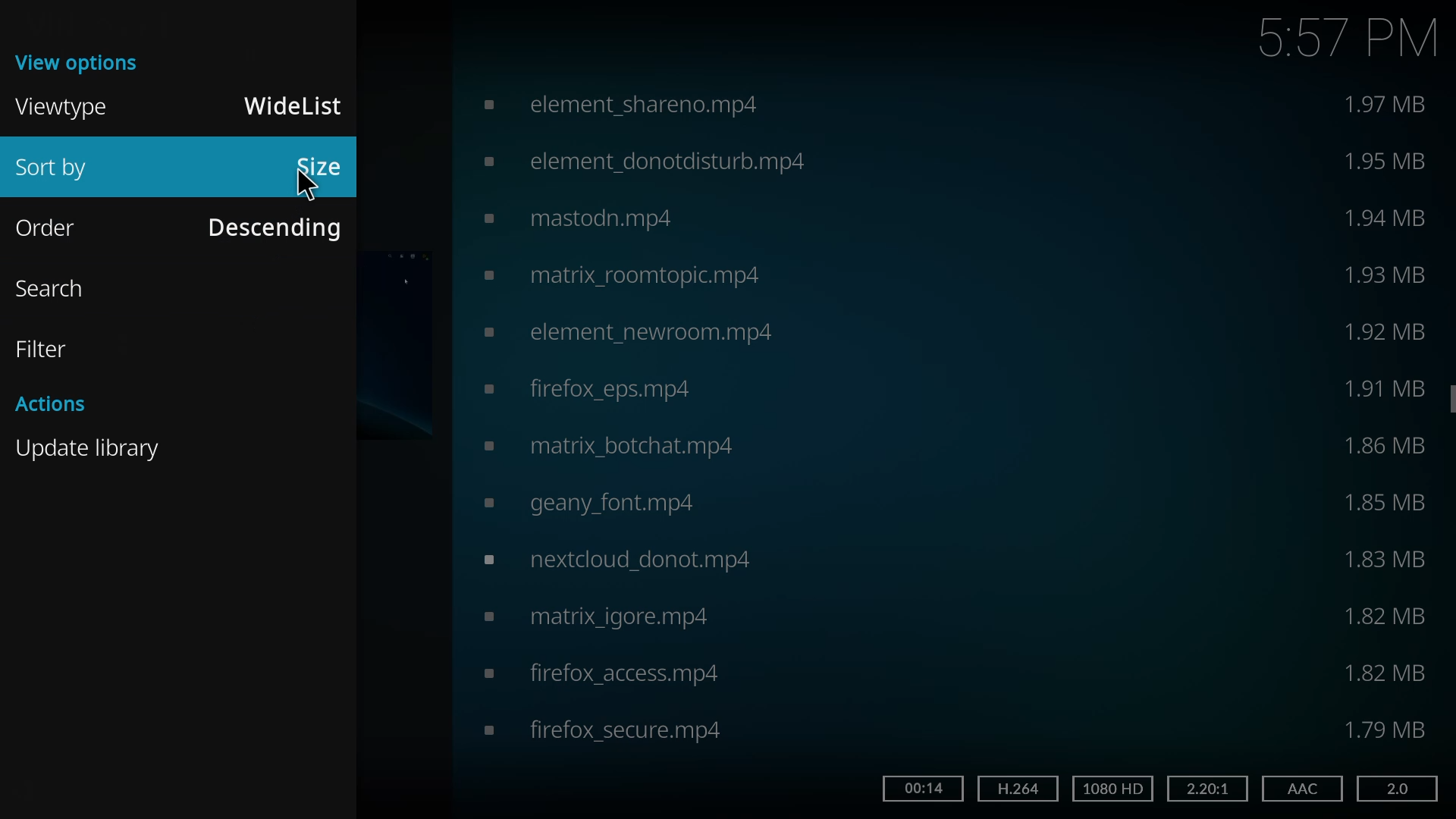  I want to click on size, so click(1384, 161).